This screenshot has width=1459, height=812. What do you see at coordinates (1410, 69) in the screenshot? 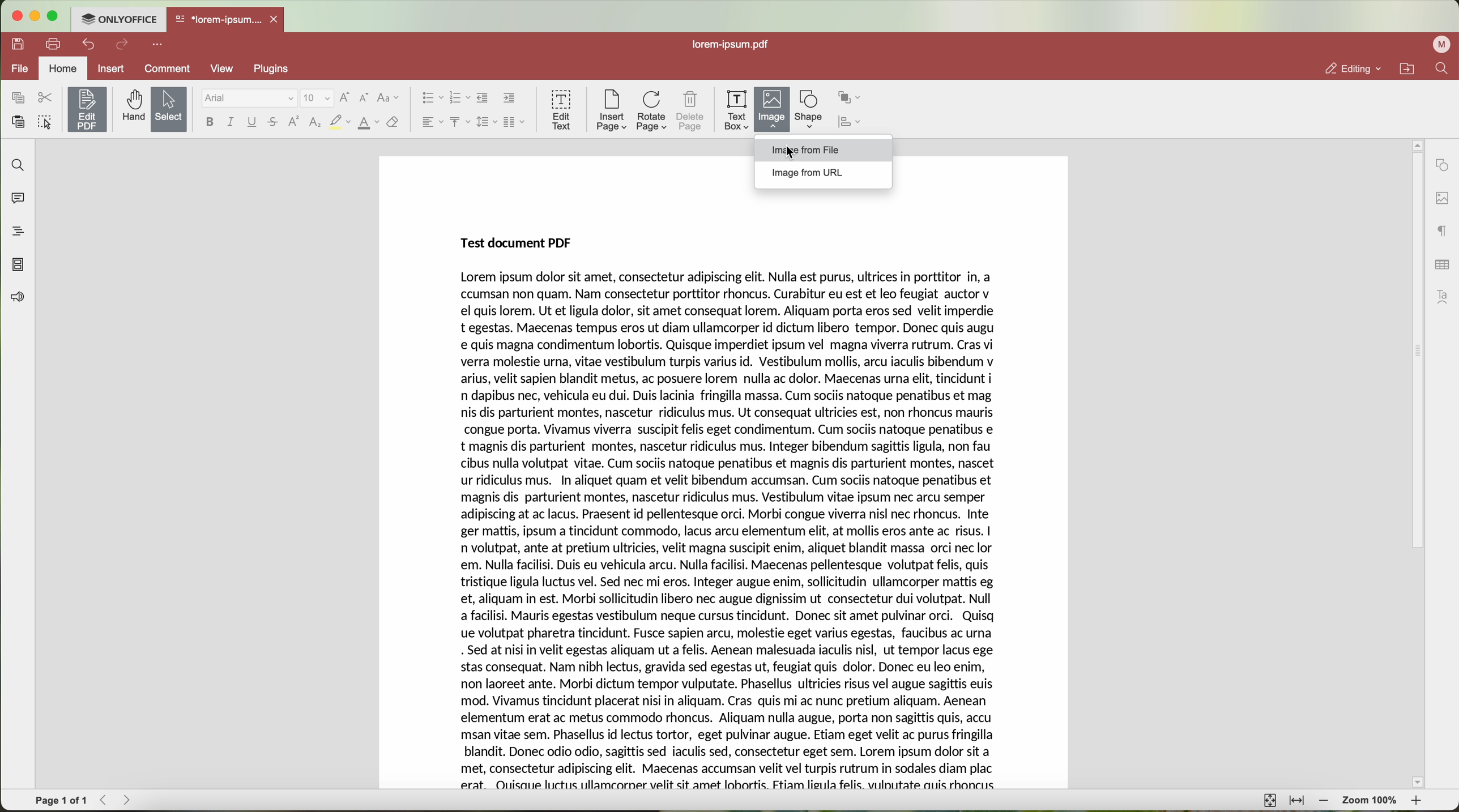
I see `open file location` at bounding box center [1410, 69].